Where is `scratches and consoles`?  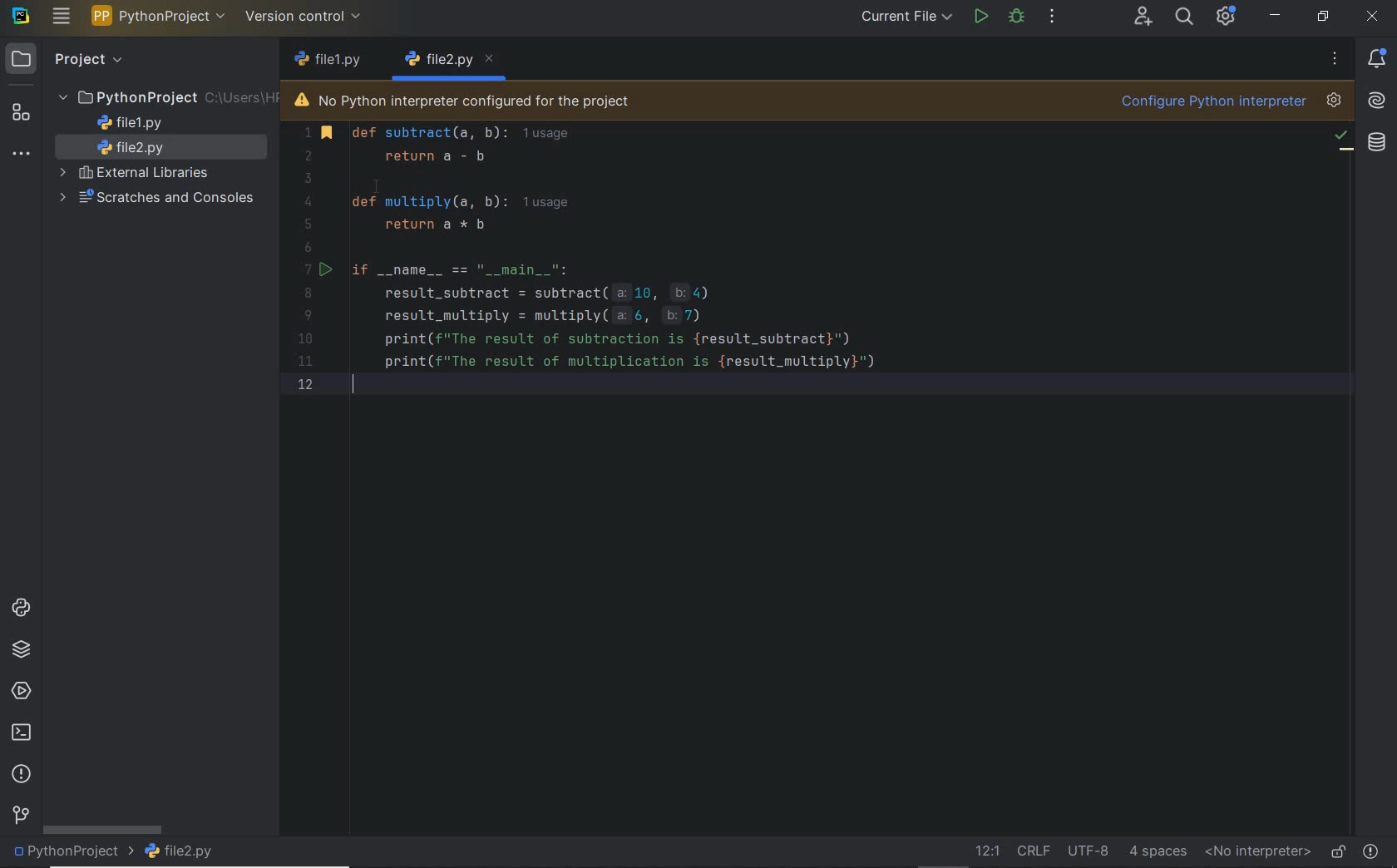
scratches and consoles is located at coordinates (160, 199).